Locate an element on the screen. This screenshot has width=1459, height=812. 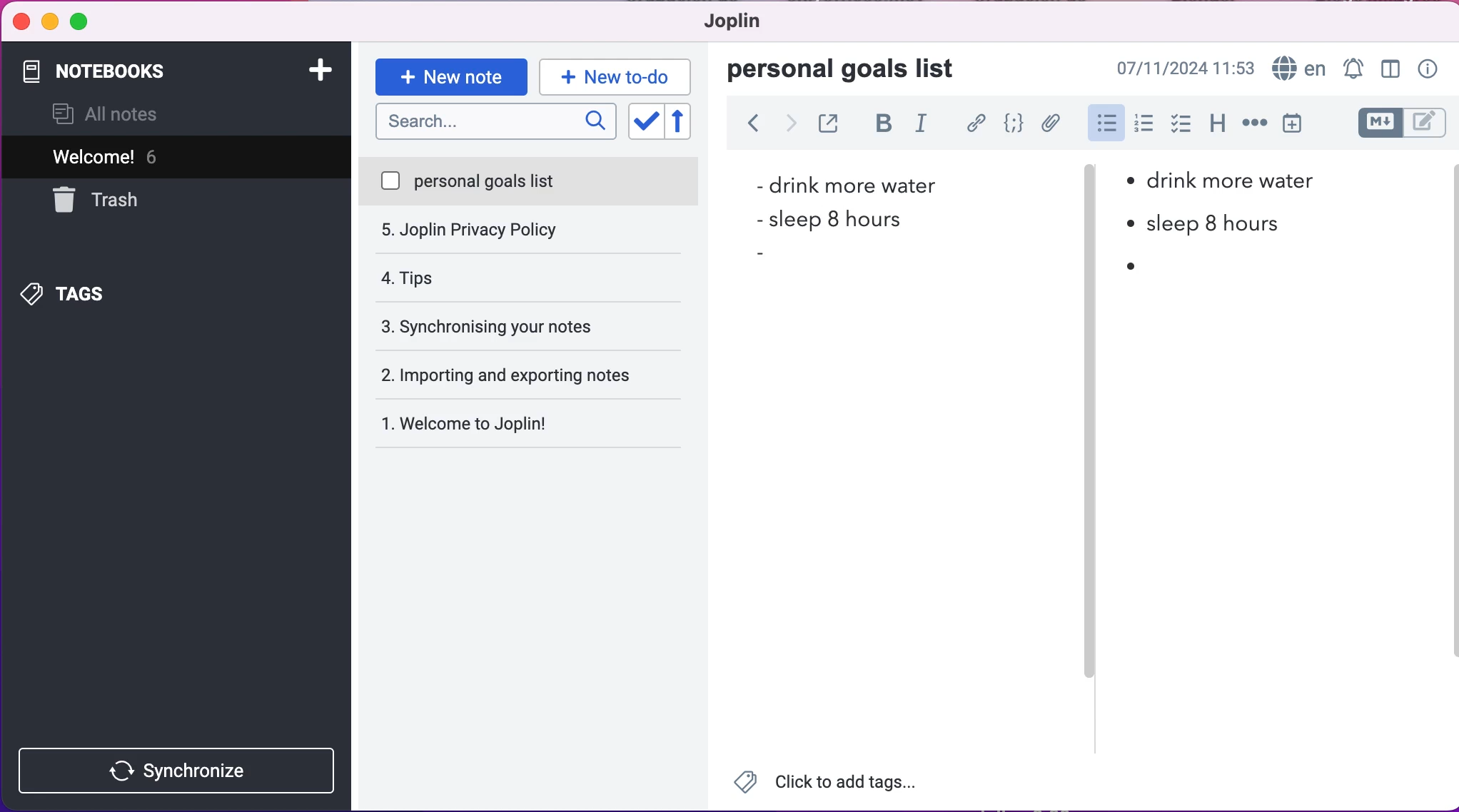
horizontal rule is located at coordinates (1252, 128).